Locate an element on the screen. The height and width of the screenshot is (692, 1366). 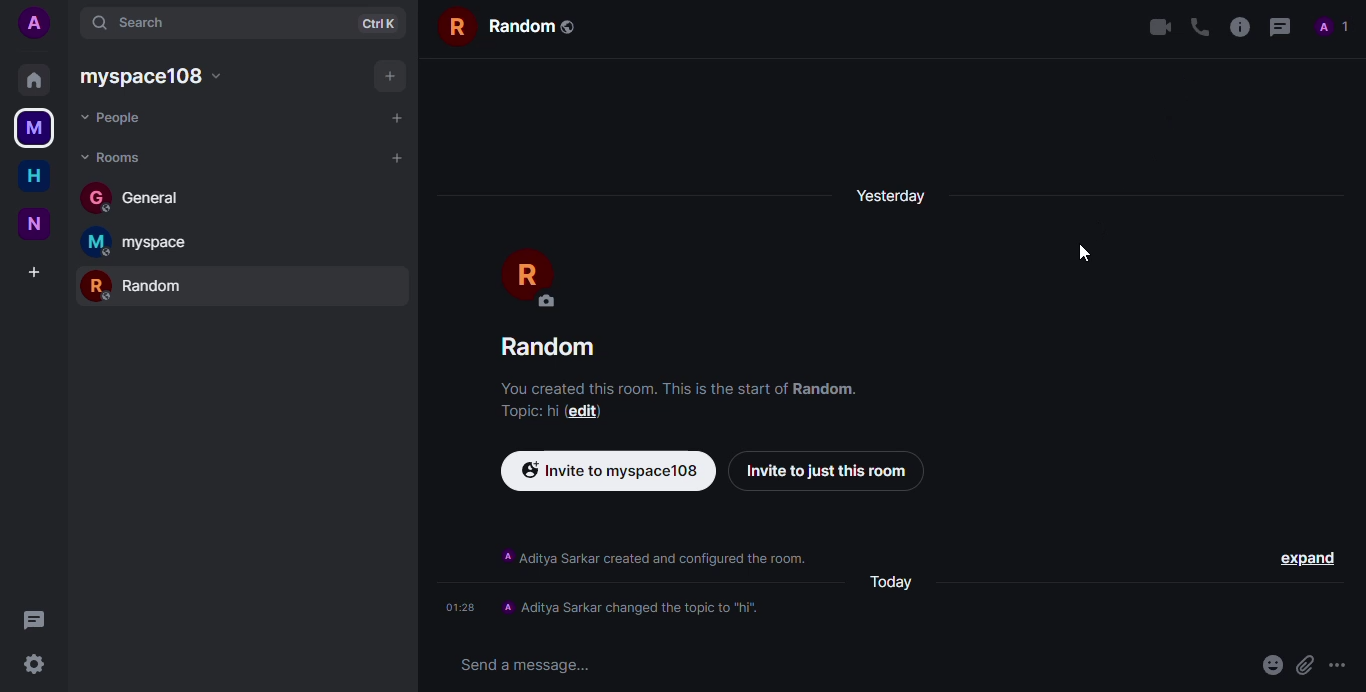
expand is located at coordinates (1305, 556).